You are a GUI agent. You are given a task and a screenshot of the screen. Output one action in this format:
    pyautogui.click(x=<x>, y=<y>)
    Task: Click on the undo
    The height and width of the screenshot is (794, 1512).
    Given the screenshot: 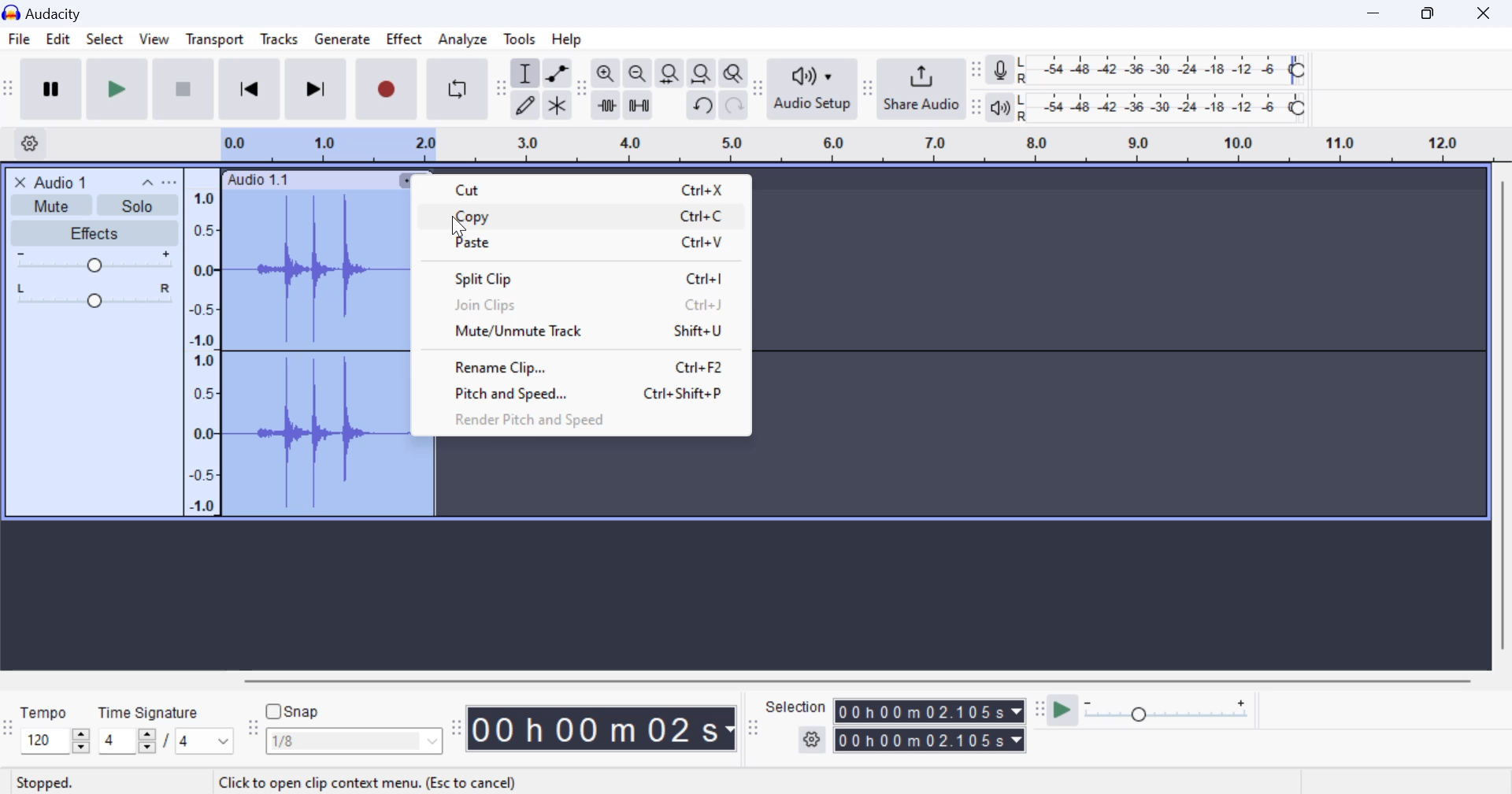 What is the action you would take?
    pyautogui.click(x=703, y=106)
    